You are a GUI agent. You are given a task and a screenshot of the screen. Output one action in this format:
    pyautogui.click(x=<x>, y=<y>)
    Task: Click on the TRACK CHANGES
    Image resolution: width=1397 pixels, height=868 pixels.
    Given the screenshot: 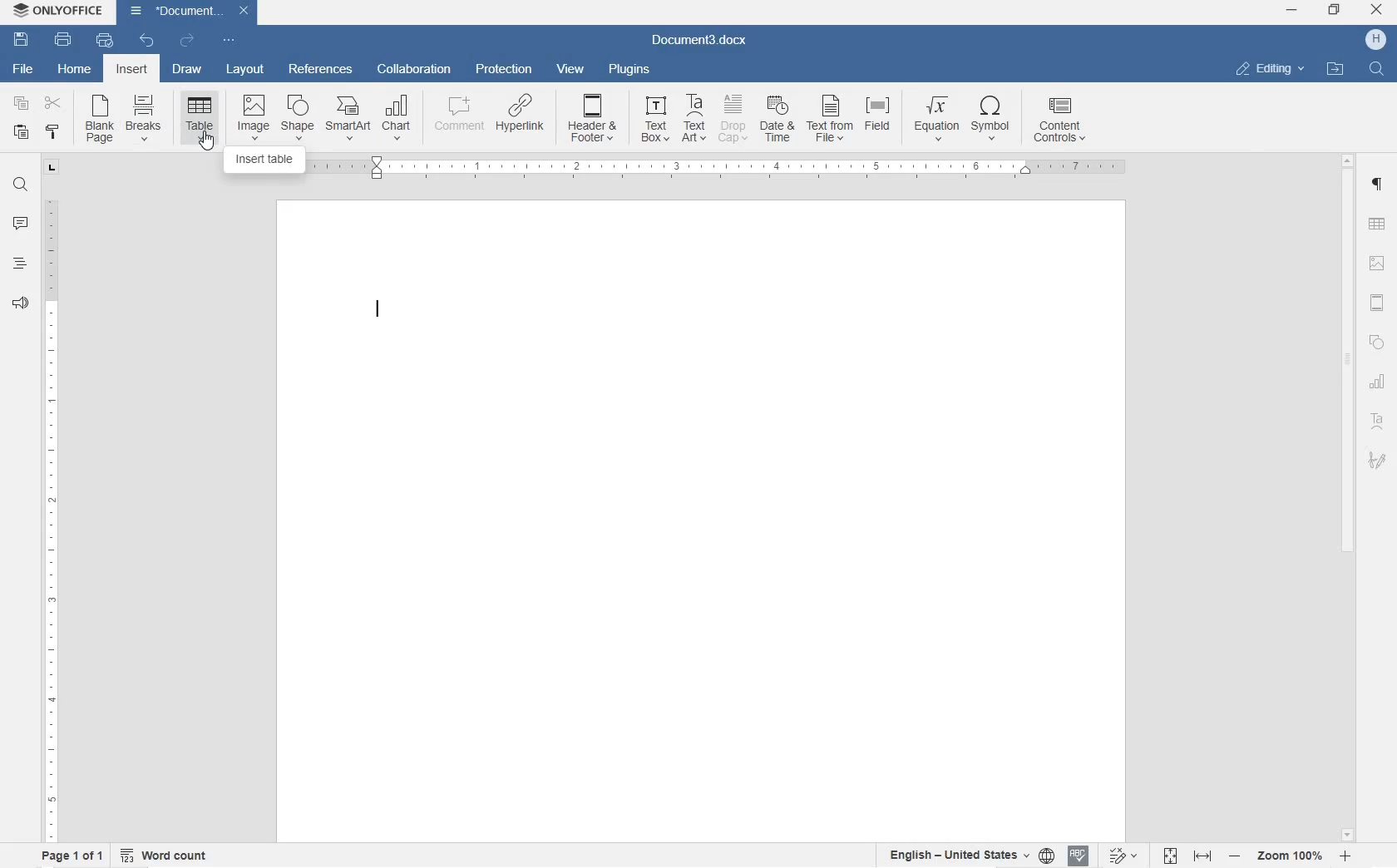 What is the action you would take?
    pyautogui.click(x=1122, y=855)
    